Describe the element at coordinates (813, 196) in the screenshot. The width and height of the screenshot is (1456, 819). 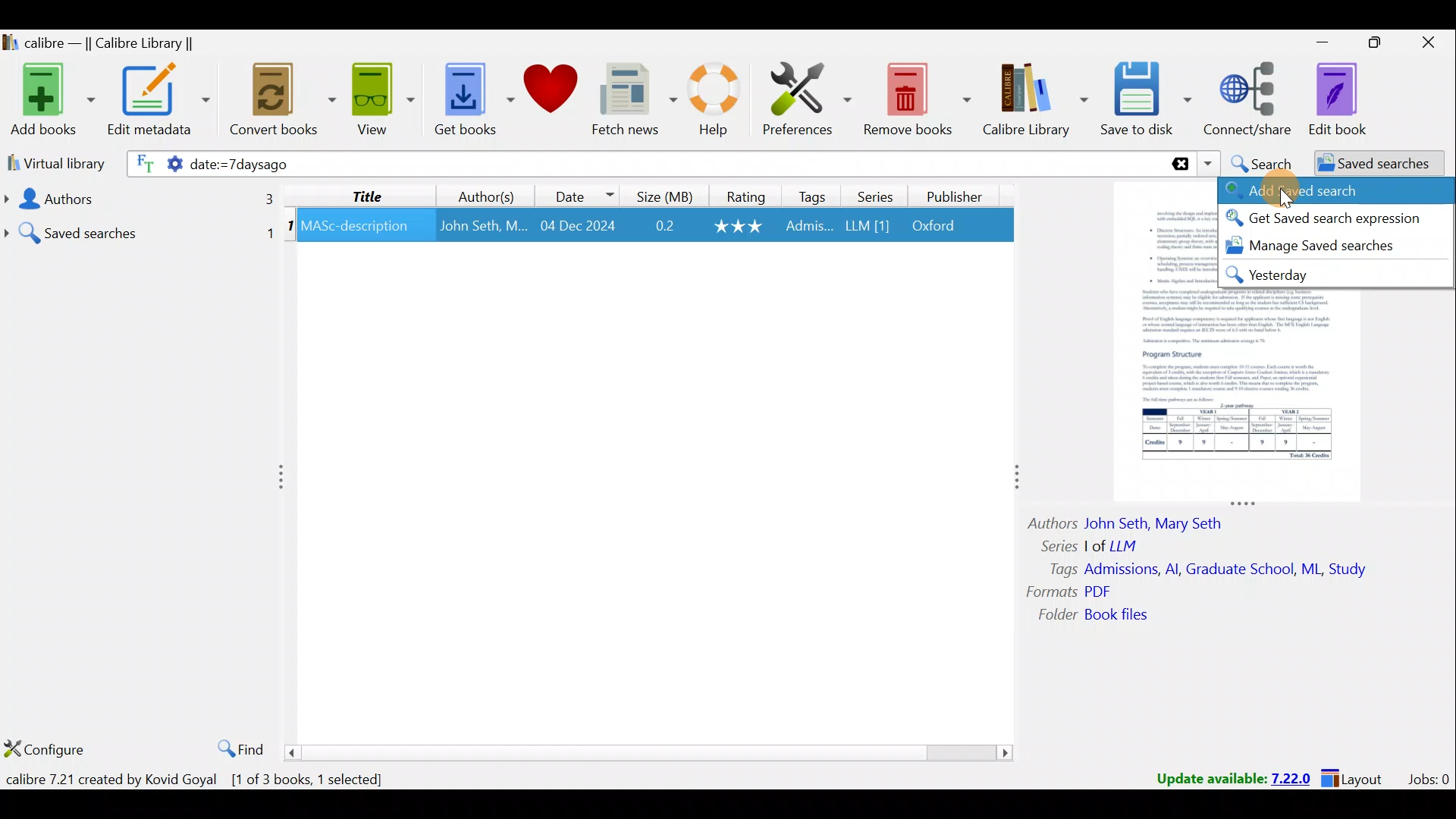
I see `Tags` at that location.